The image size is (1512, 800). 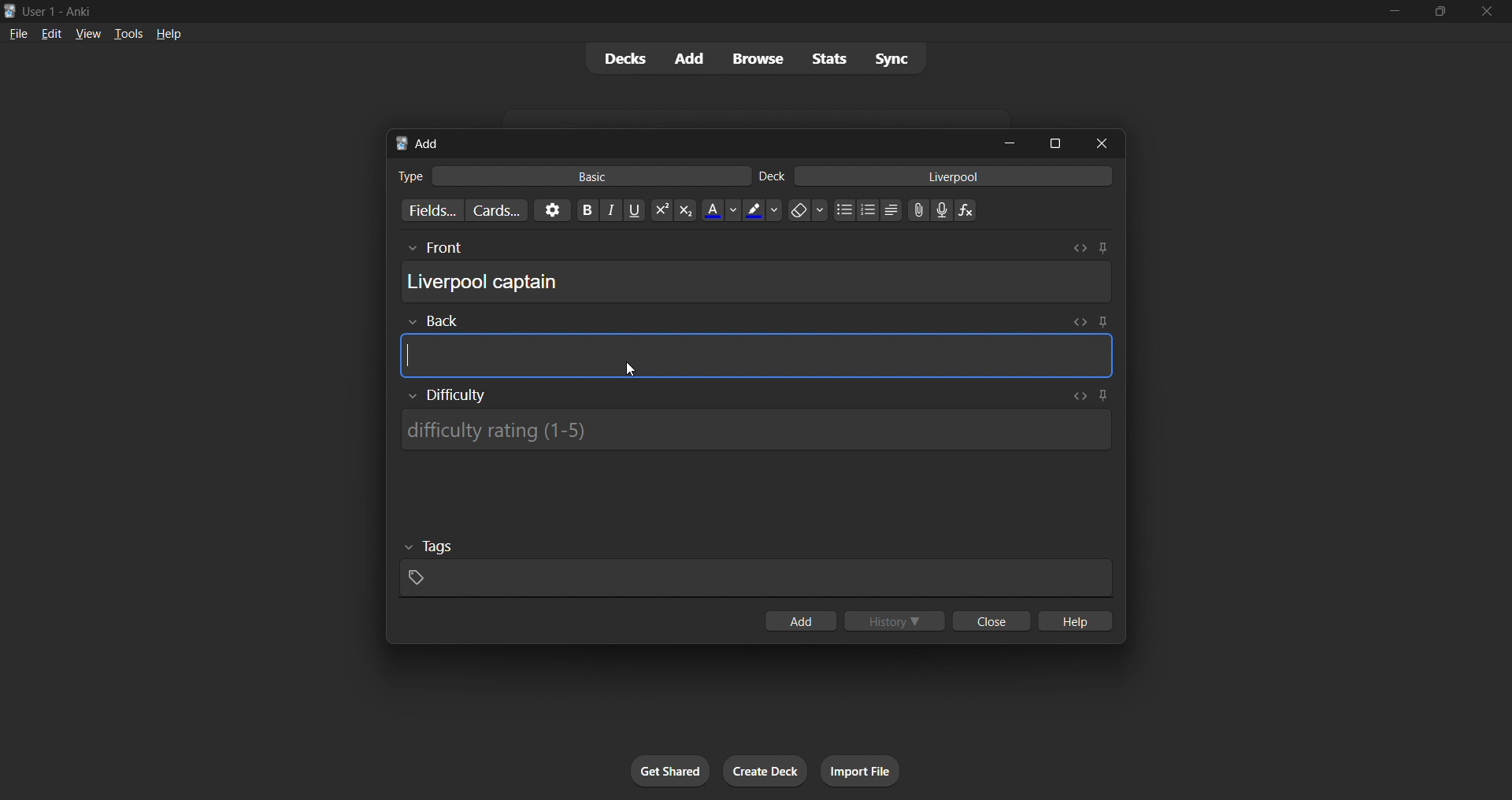 I want to click on add, so click(x=800, y=620).